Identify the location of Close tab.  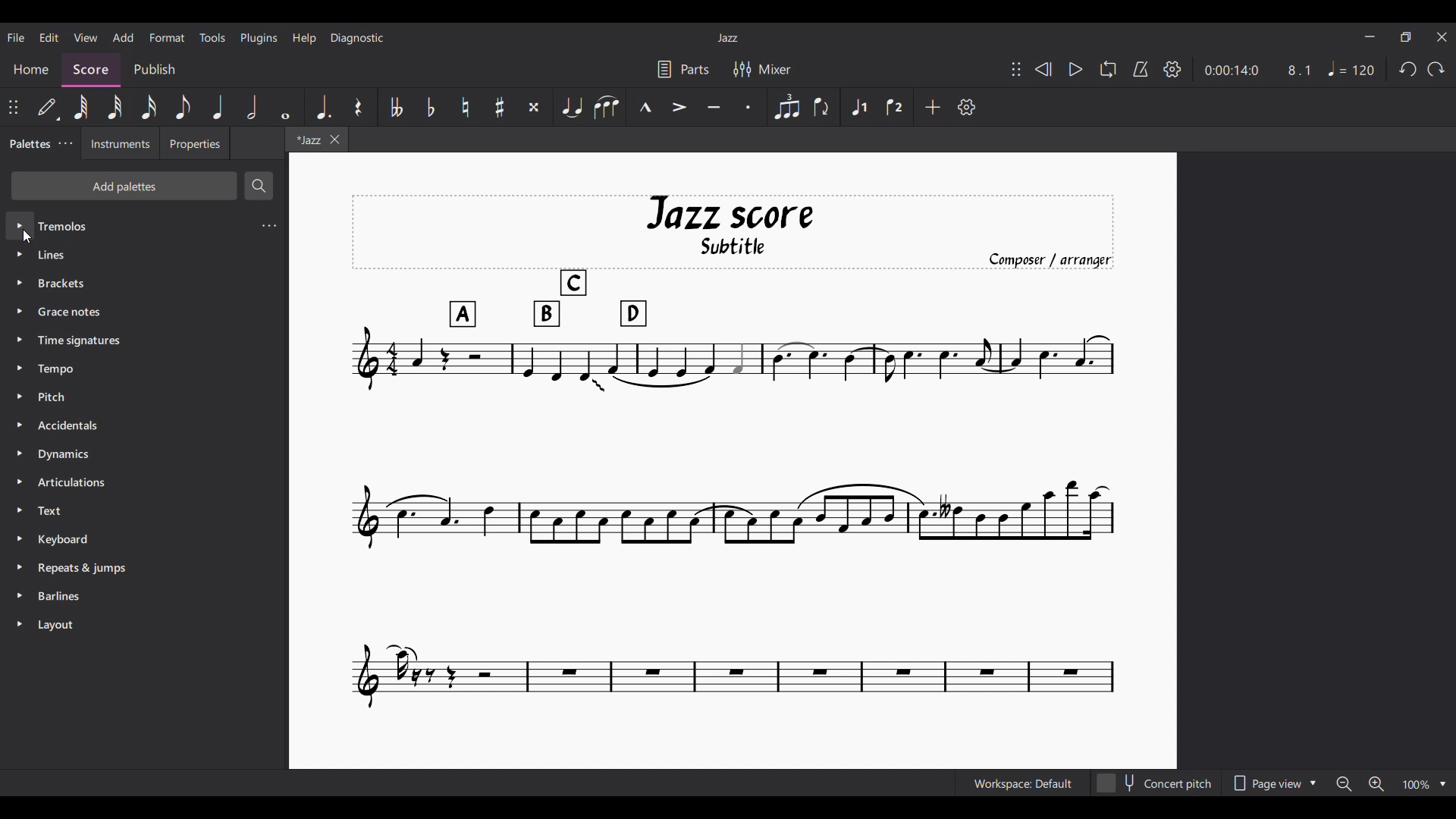
(334, 139).